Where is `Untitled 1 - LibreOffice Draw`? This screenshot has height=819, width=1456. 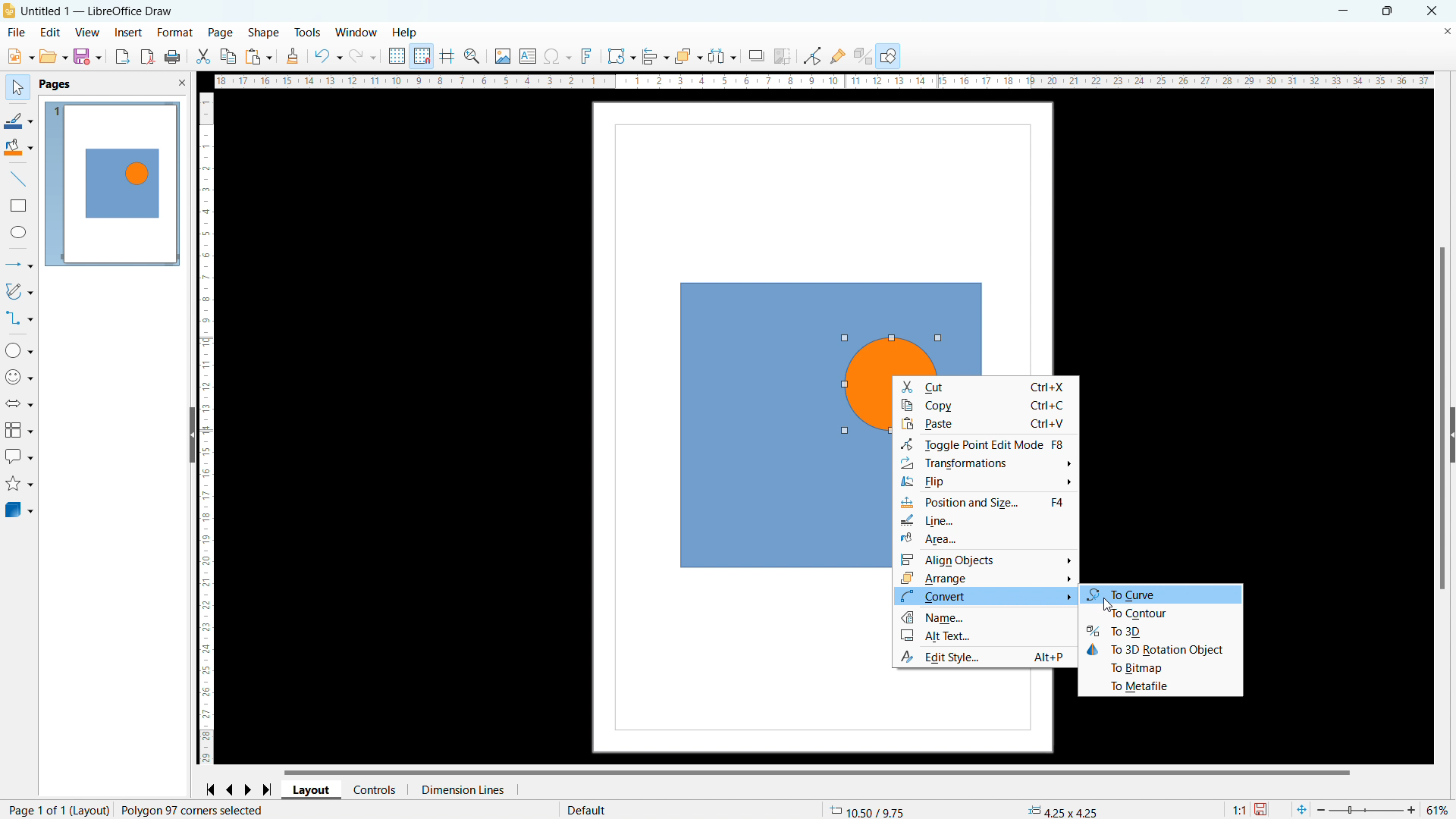
Untitled 1 - LibreOffice Draw is located at coordinates (98, 11).